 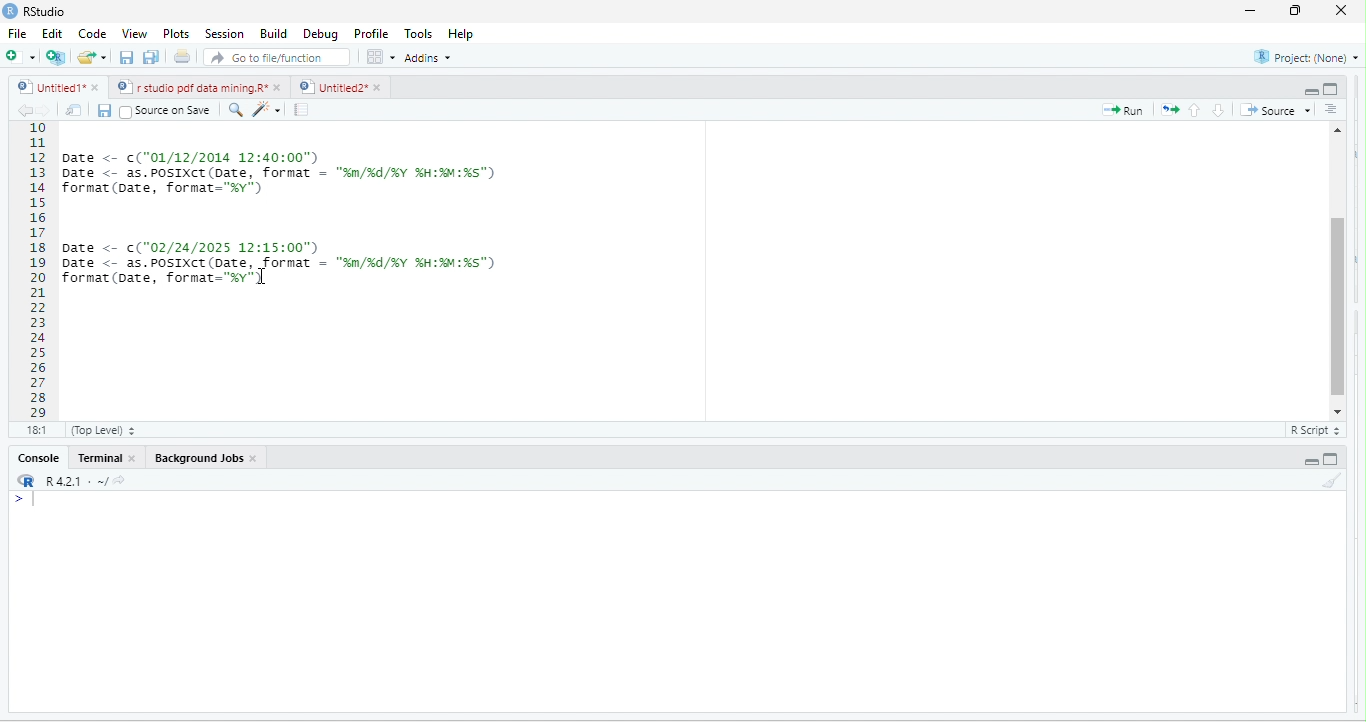 I want to click on  Untitled2, so click(x=332, y=87).